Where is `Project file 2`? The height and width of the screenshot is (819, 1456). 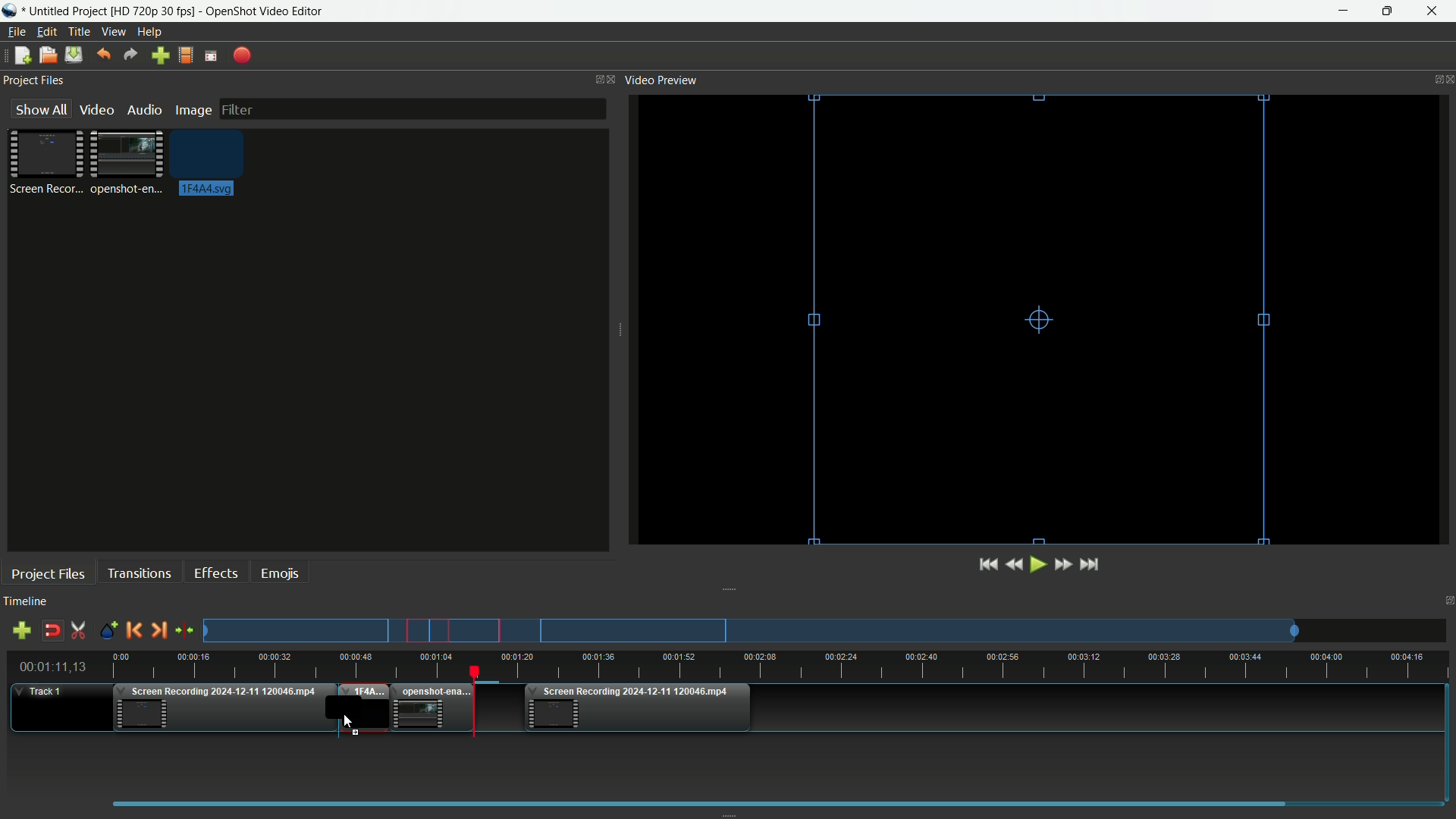
Project file 2 is located at coordinates (124, 161).